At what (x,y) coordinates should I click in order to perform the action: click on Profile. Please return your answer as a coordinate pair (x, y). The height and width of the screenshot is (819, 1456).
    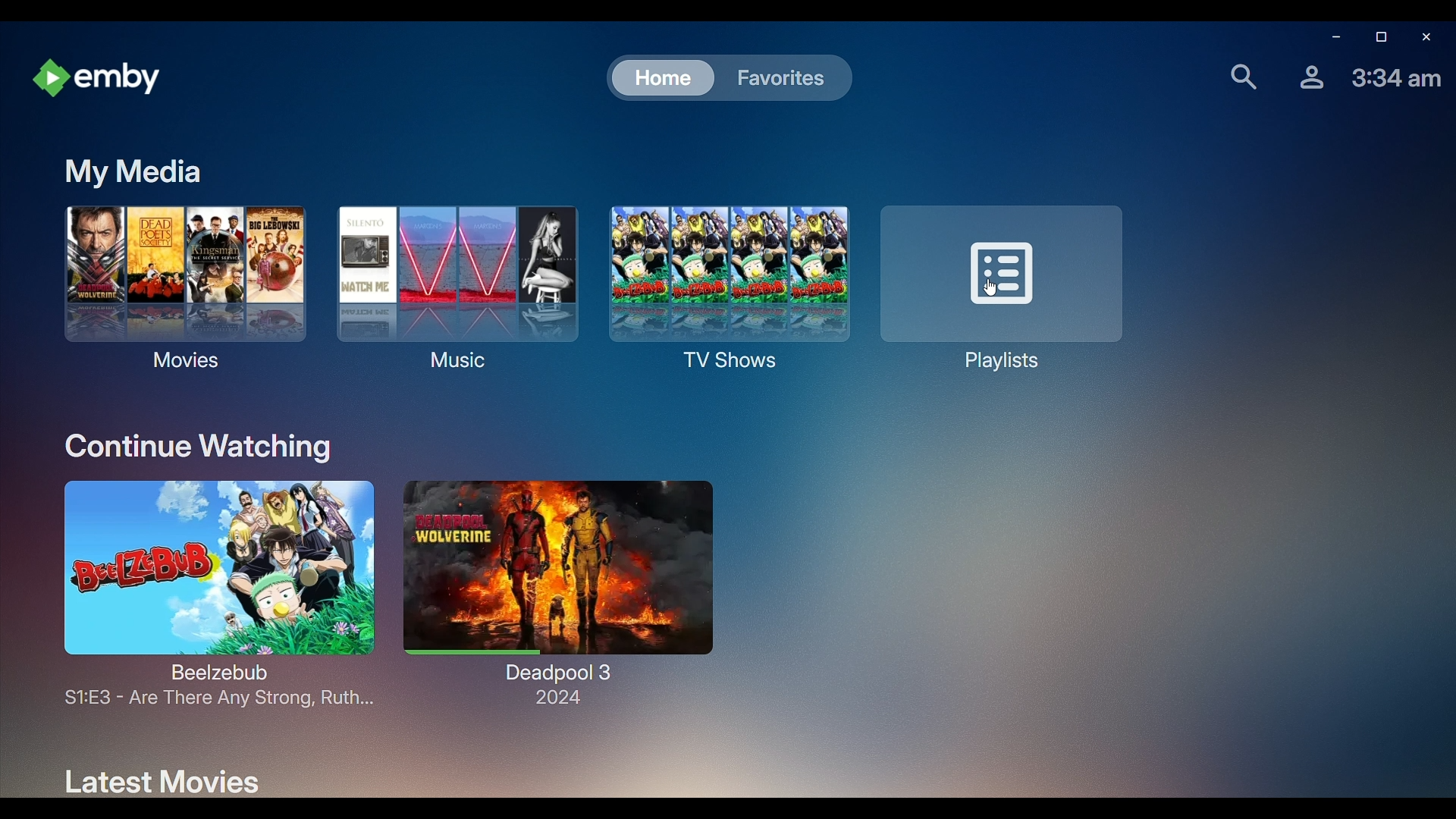
    Looking at the image, I should click on (1308, 77).